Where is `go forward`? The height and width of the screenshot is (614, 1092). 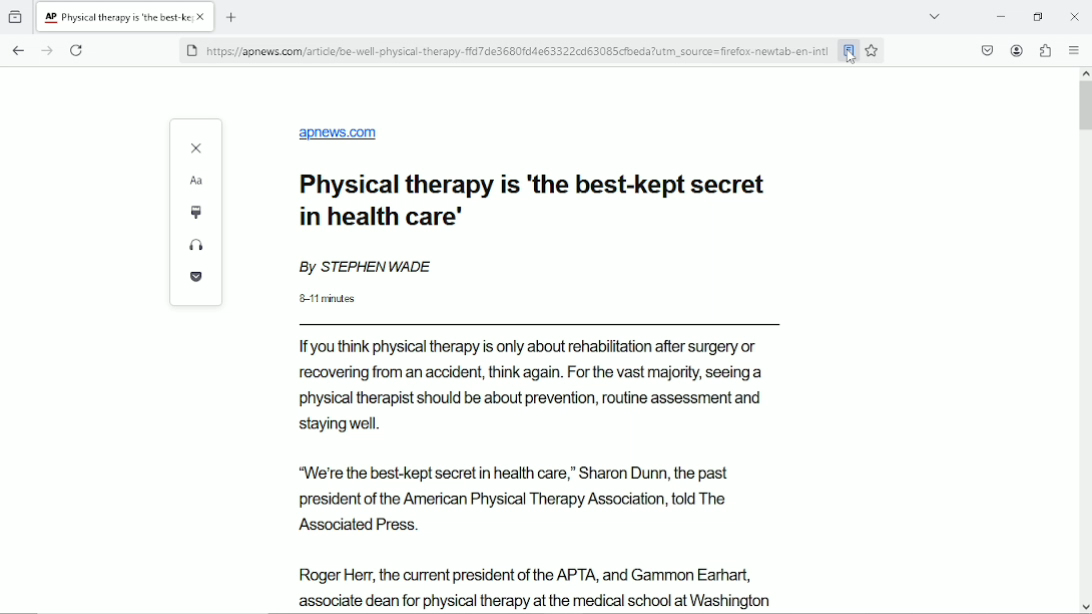 go forward is located at coordinates (47, 50).